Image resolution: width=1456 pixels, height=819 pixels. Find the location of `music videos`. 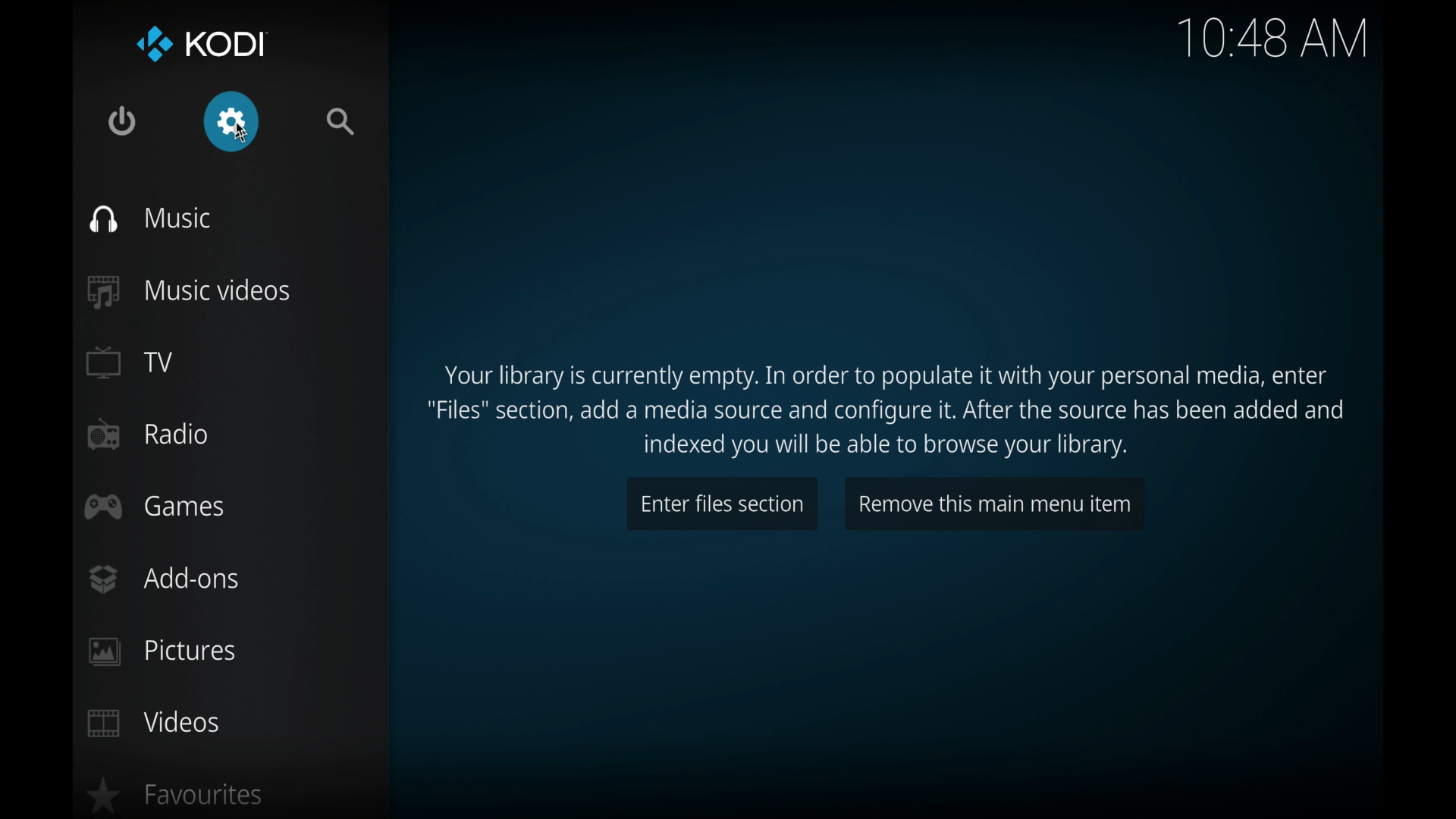

music videos is located at coordinates (190, 292).